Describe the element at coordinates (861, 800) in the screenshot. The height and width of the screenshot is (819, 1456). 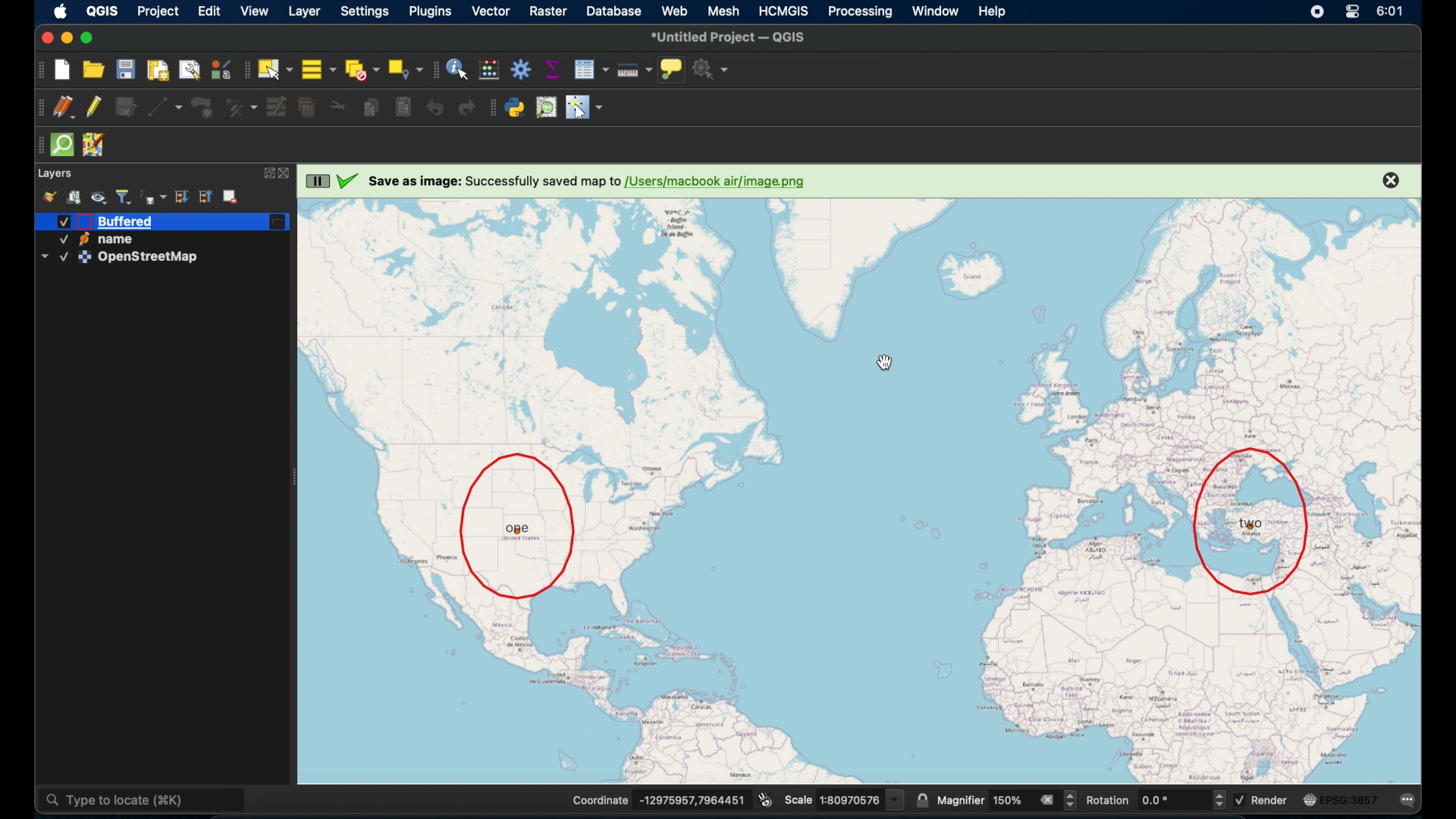
I see `scale value` at that location.